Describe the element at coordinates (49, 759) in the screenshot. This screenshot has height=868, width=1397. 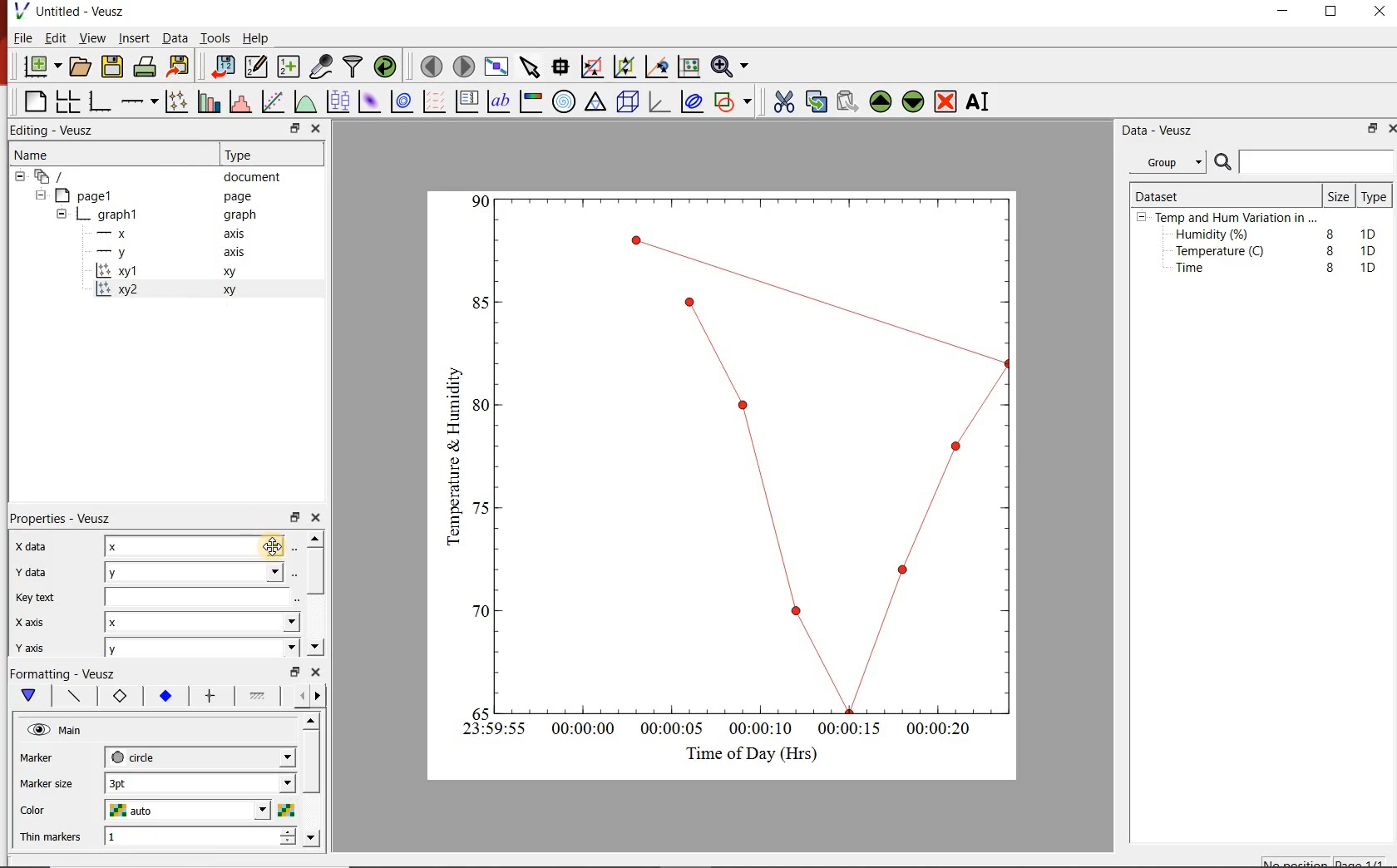
I see `Marker` at that location.